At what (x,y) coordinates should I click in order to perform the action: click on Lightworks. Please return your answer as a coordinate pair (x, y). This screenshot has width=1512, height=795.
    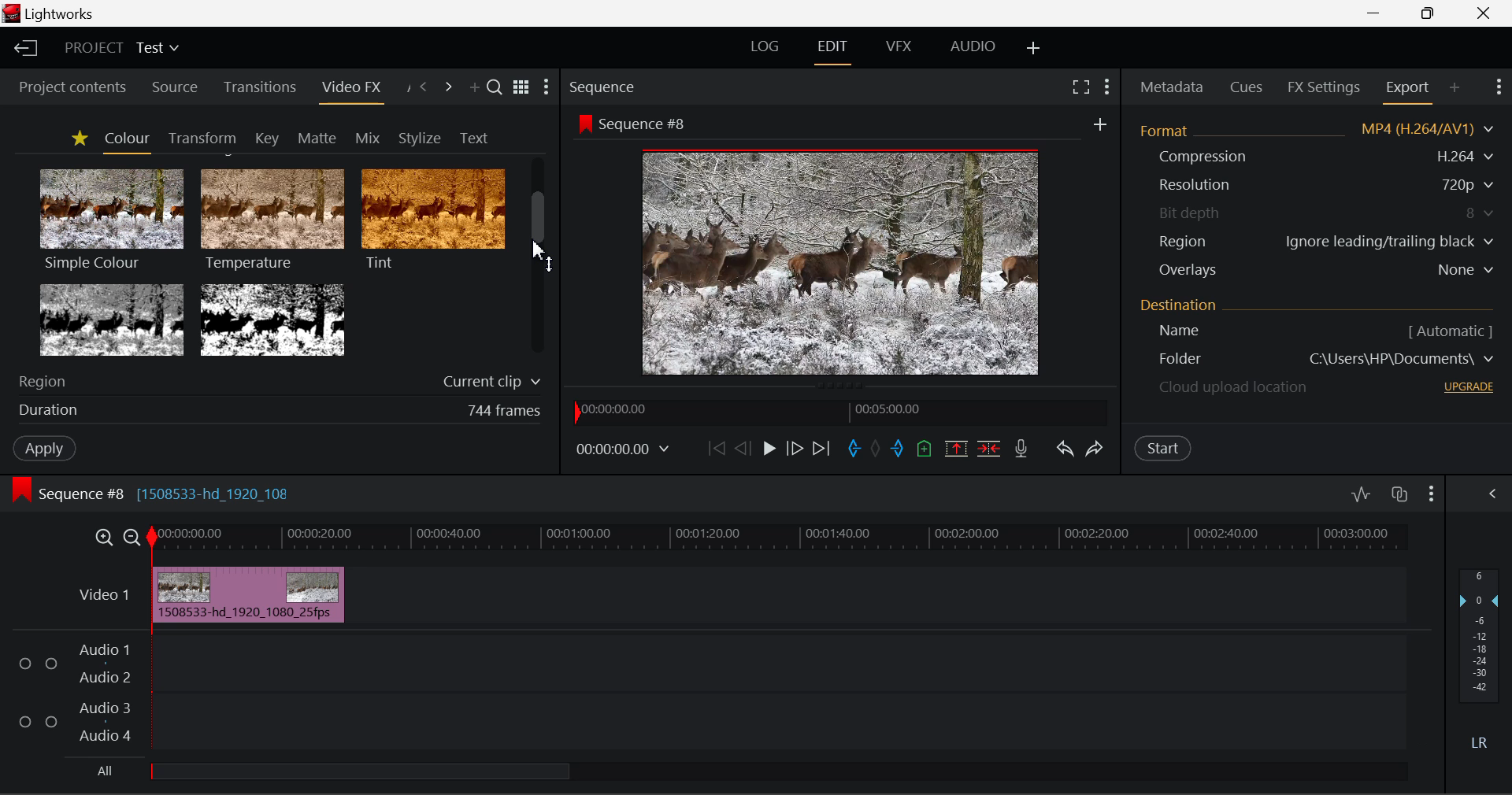
    Looking at the image, I should click on (63, 14).